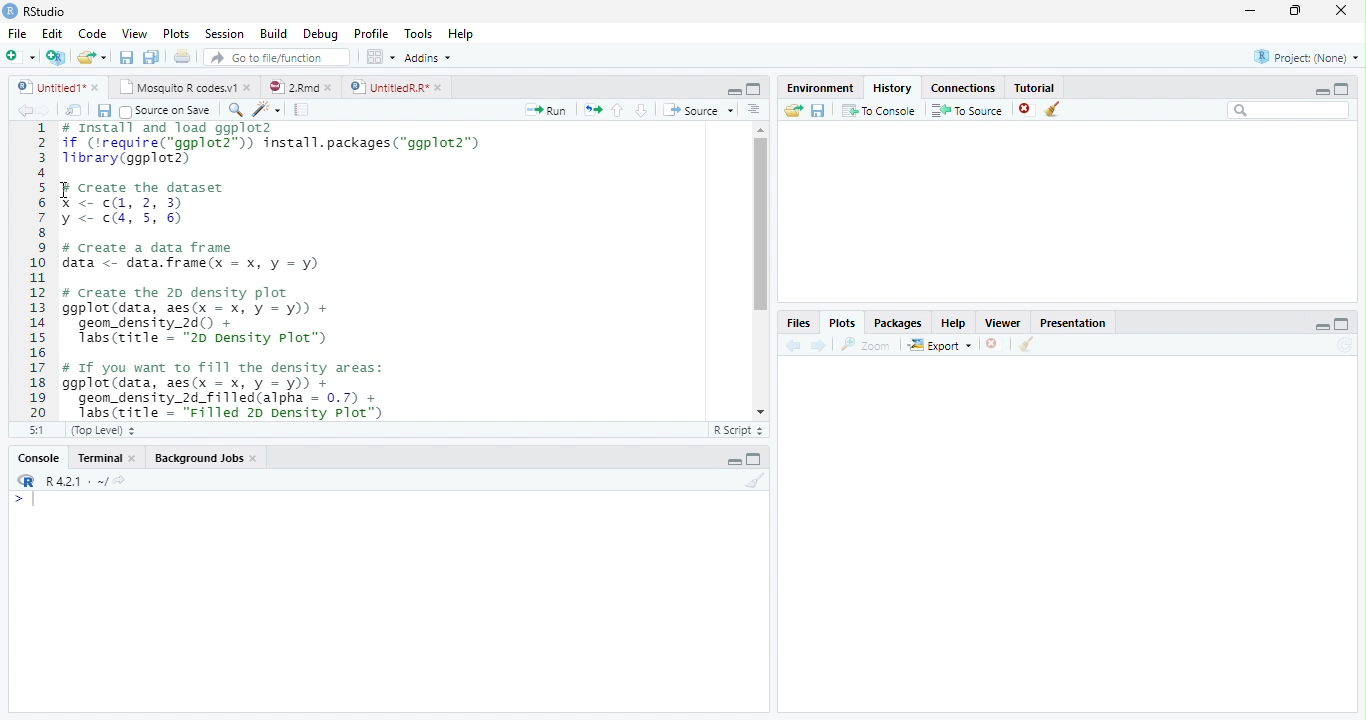  What do you see at coordinates (302, 111) in the screenshot?
I see `compile report` at bounding box center [302, 111].